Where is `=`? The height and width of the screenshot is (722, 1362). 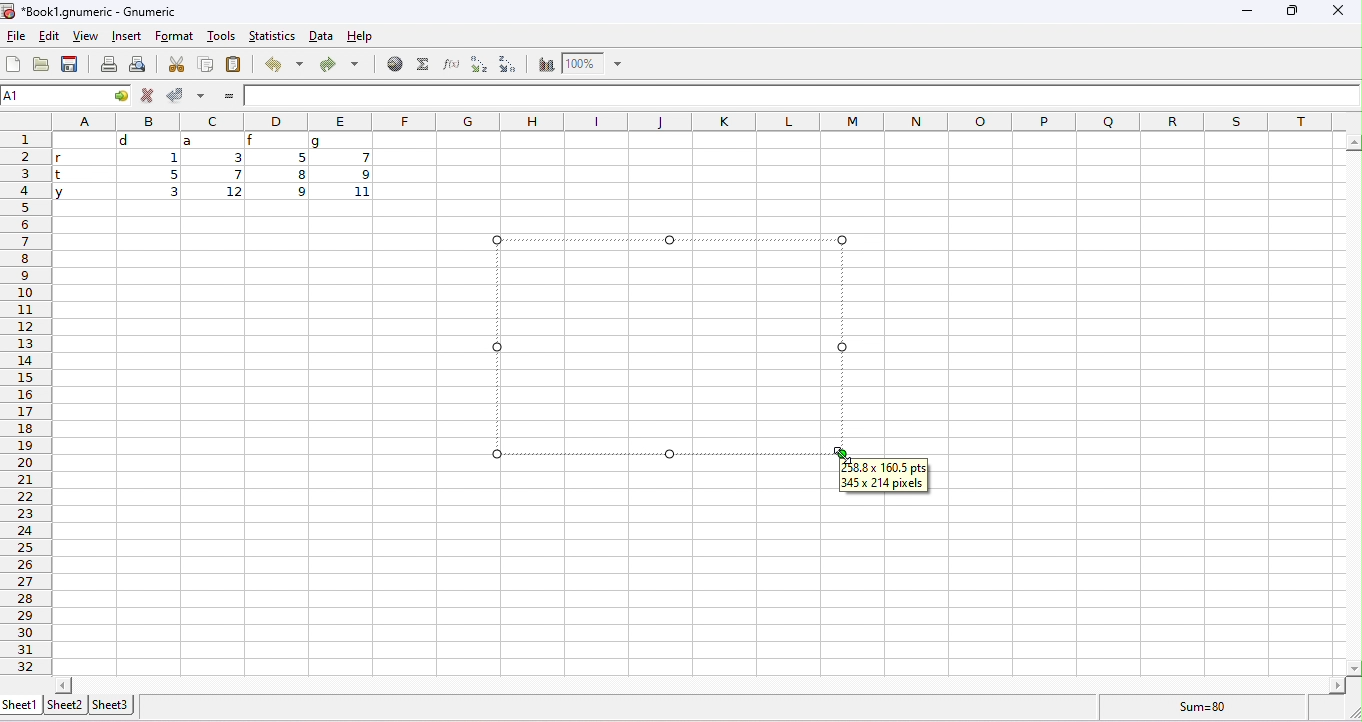 = is located at coordinates (231, 96).